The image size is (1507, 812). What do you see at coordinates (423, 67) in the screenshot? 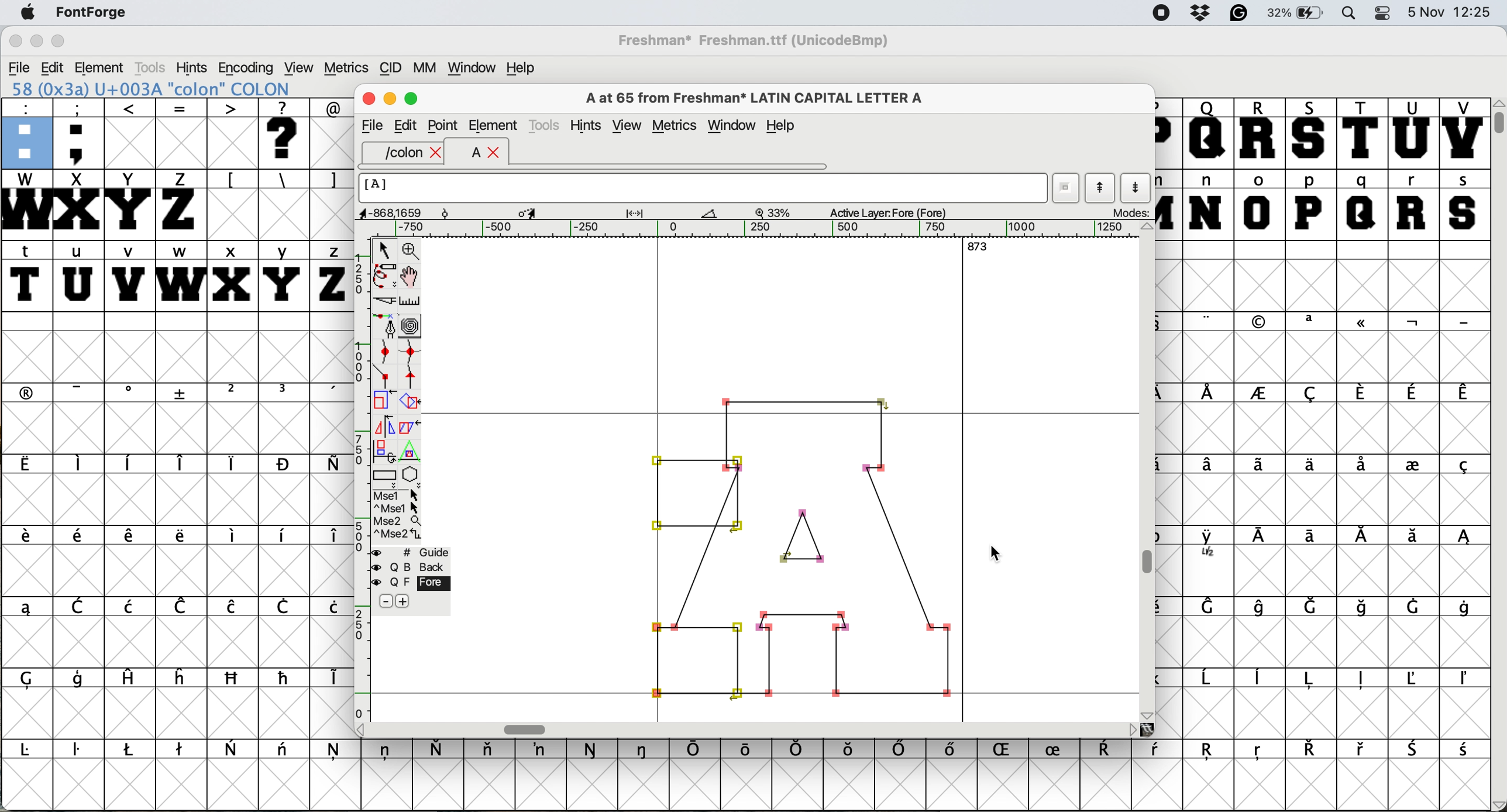
I see `mm` at bounding box center [423, 67].